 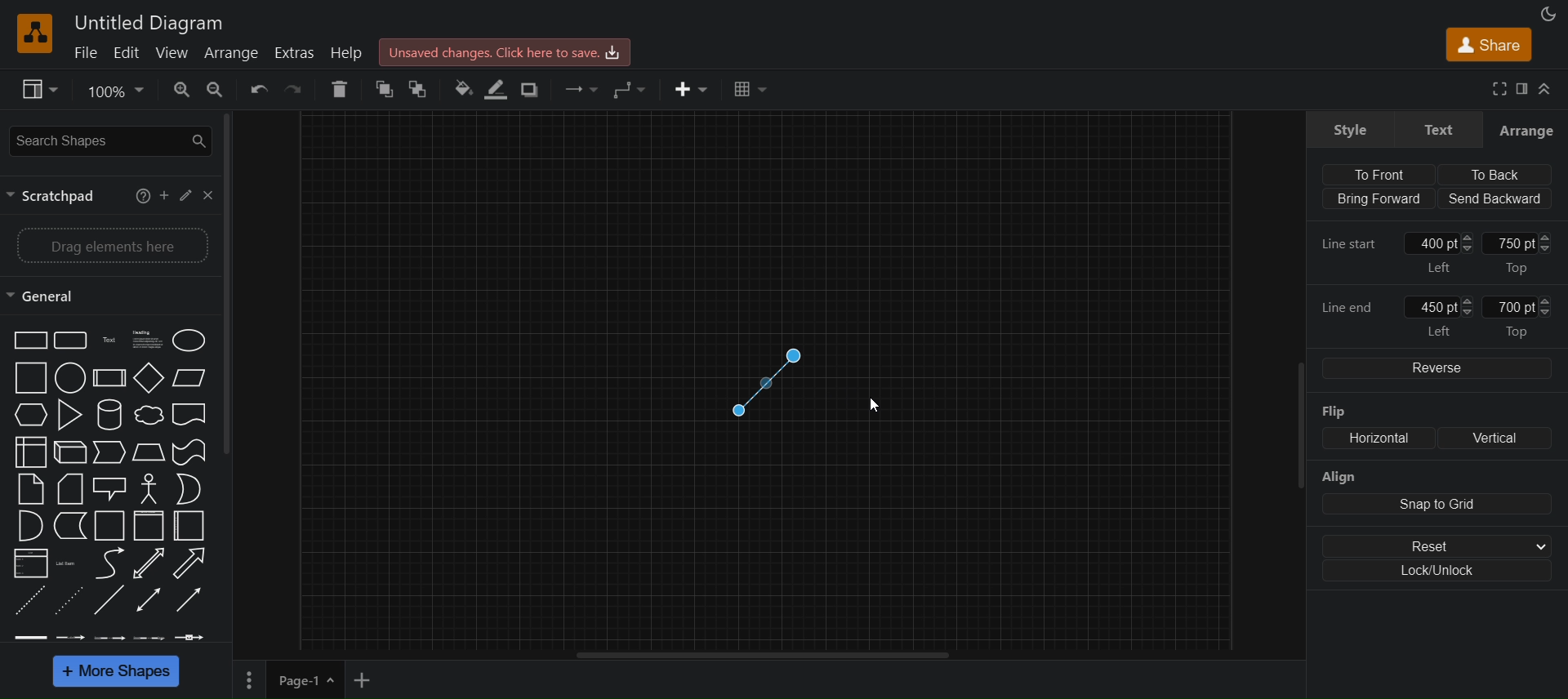 What do you see at coordinates (147, 415) in the screenshot?
I see `Cloud` at bounding box center [147, 415].